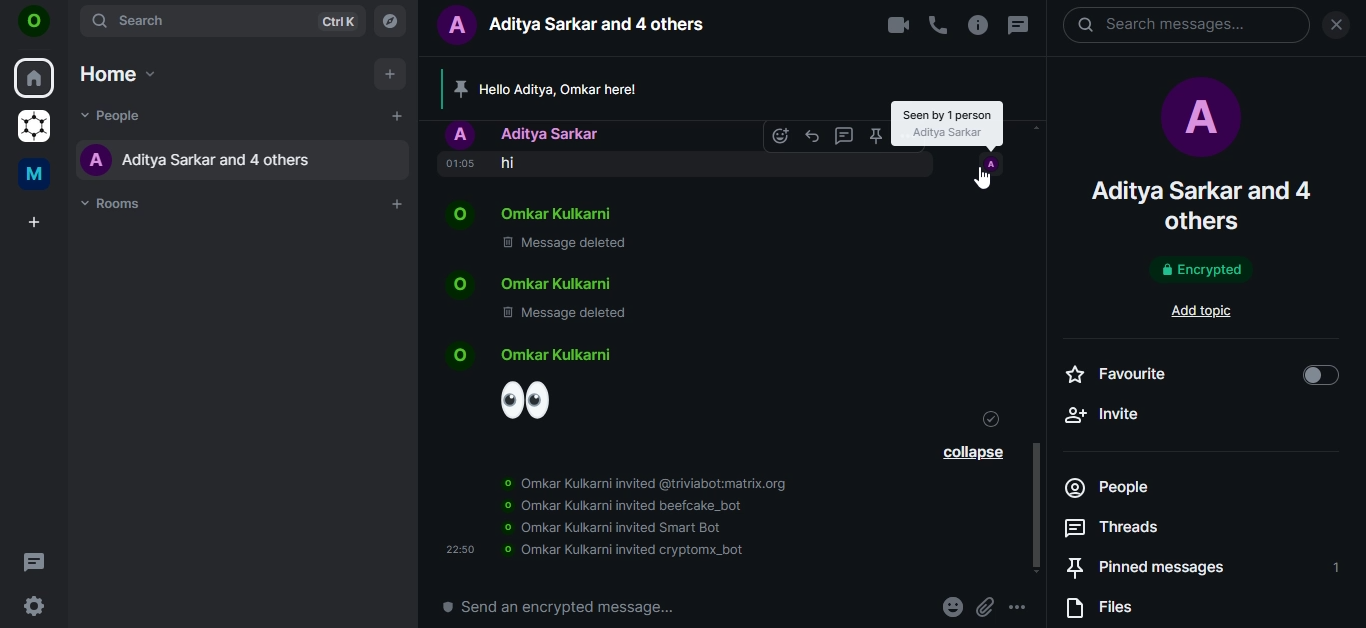 Image resolution: width=1366 pixels, height=628 pixels. What do you see at coordinates (540, 384) in the screenshot?
I see `emoji` at bounding box center [540, 384].